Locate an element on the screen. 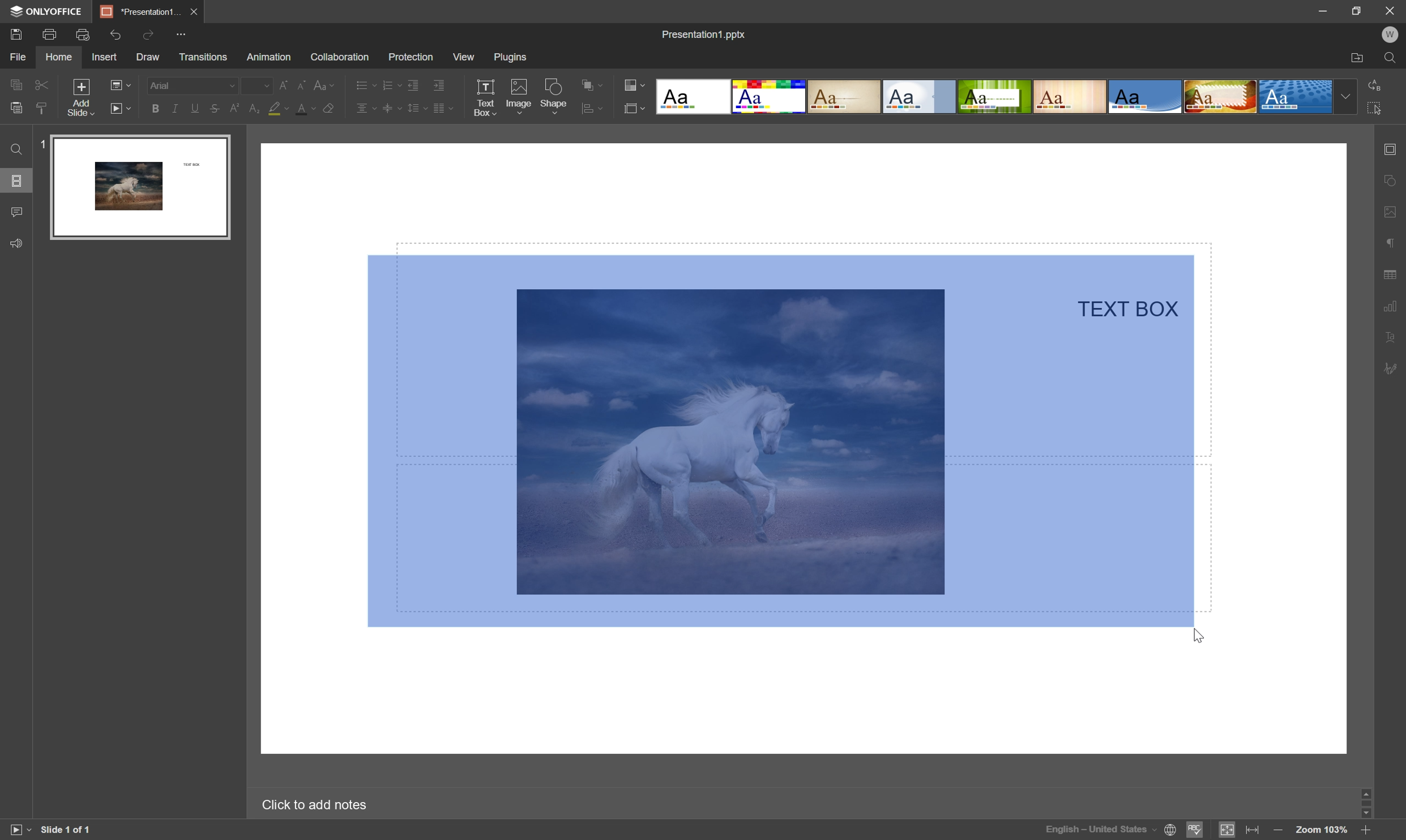  Green Leaf is located at coordinates (995, 97).